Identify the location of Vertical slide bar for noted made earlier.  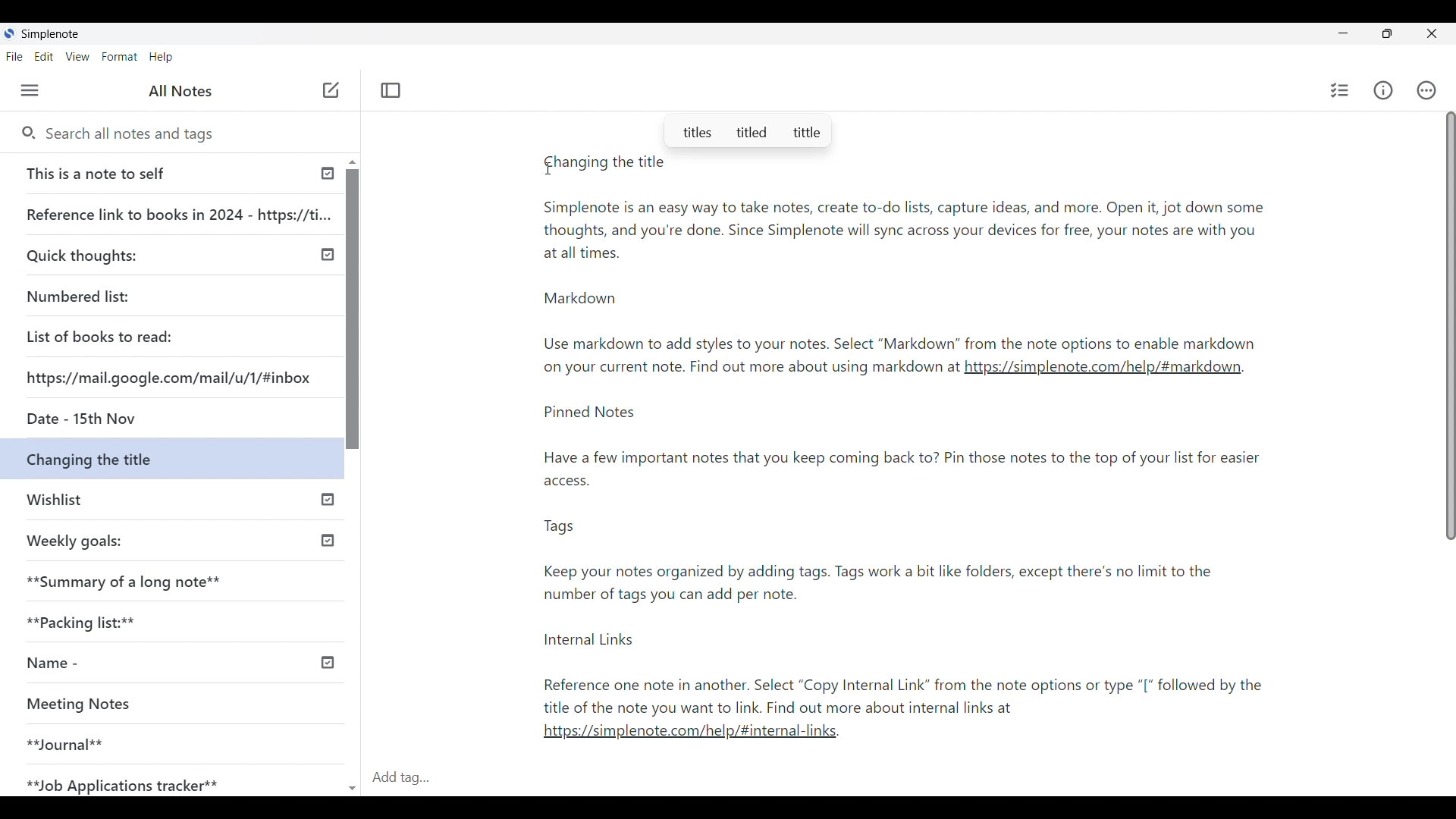
(350, 309).